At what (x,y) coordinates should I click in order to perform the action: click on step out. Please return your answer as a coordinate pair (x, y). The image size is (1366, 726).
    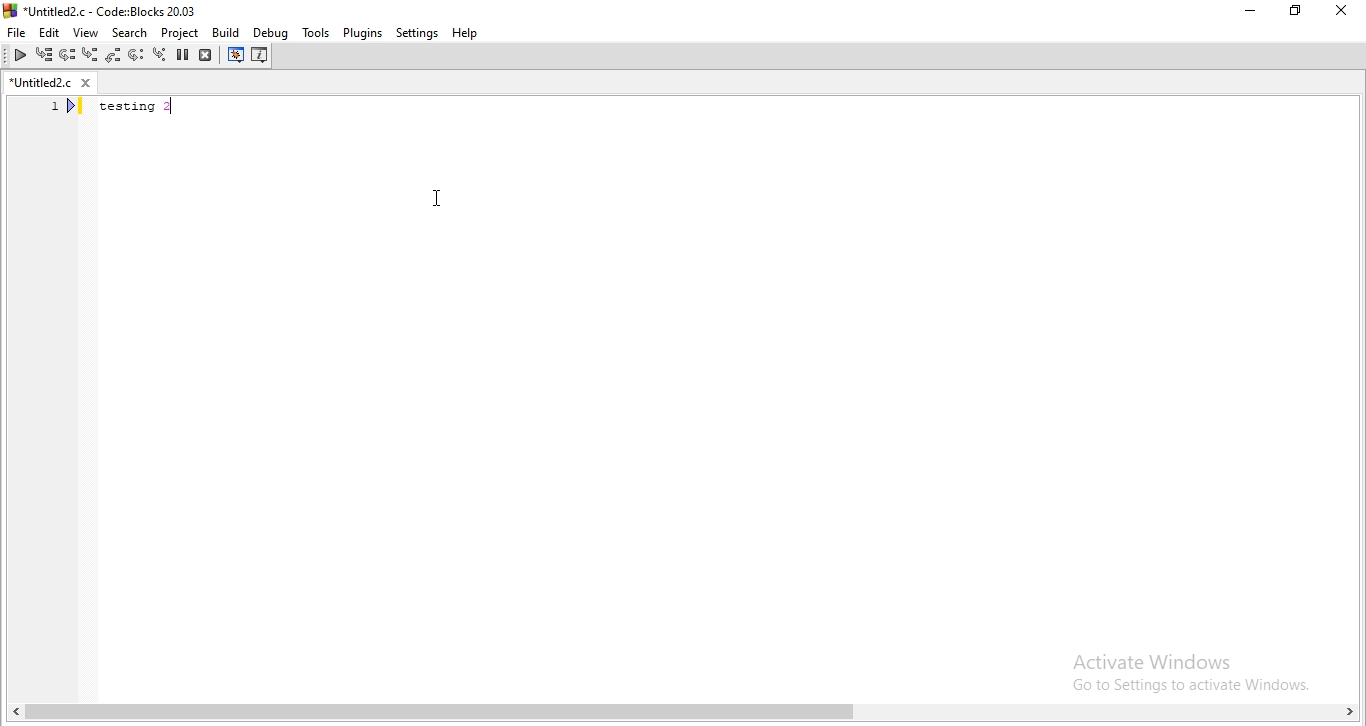
    Looking at the image, I should click on (90, 56).